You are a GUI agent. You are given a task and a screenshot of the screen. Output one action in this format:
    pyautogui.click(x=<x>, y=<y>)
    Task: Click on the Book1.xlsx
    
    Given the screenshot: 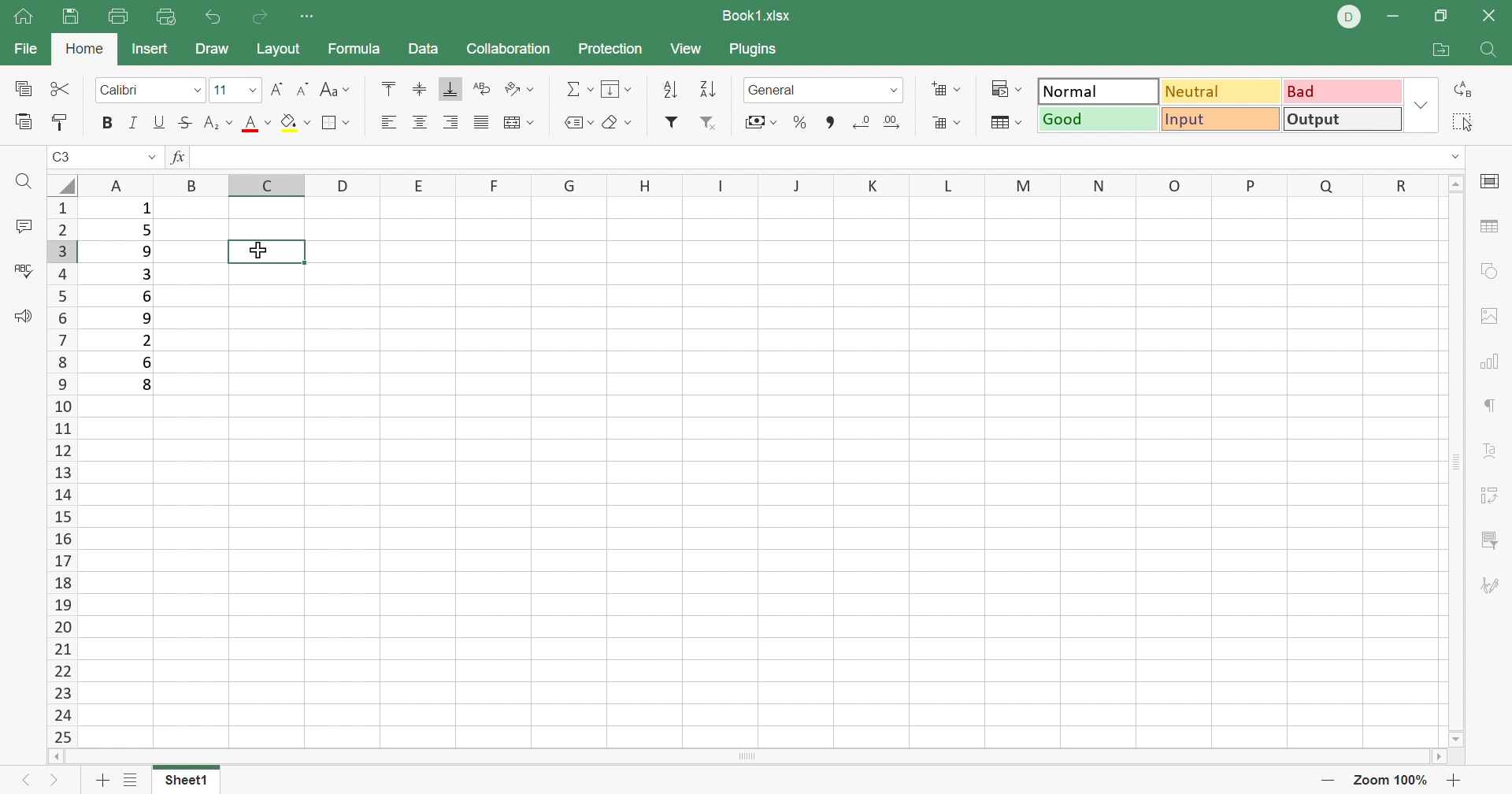 What is the action you would take?
    pyautogui.click(x=759, y=15)
    